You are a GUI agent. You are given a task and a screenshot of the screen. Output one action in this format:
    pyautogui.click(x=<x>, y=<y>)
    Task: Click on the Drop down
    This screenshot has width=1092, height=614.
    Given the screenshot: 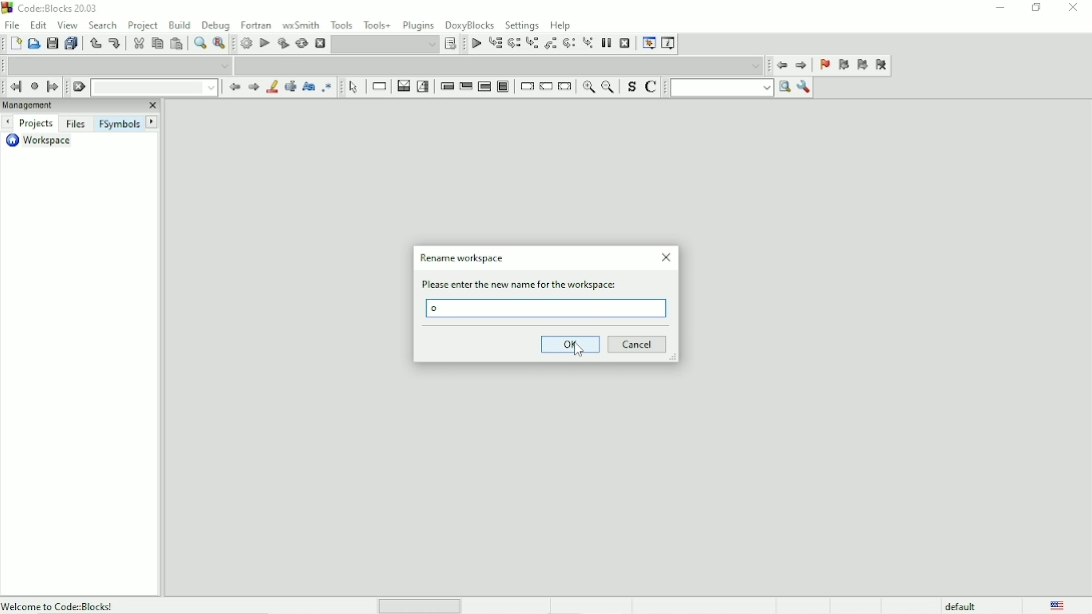 What is the action you would take?
    pyautogui.click(x=120, y=65)
    